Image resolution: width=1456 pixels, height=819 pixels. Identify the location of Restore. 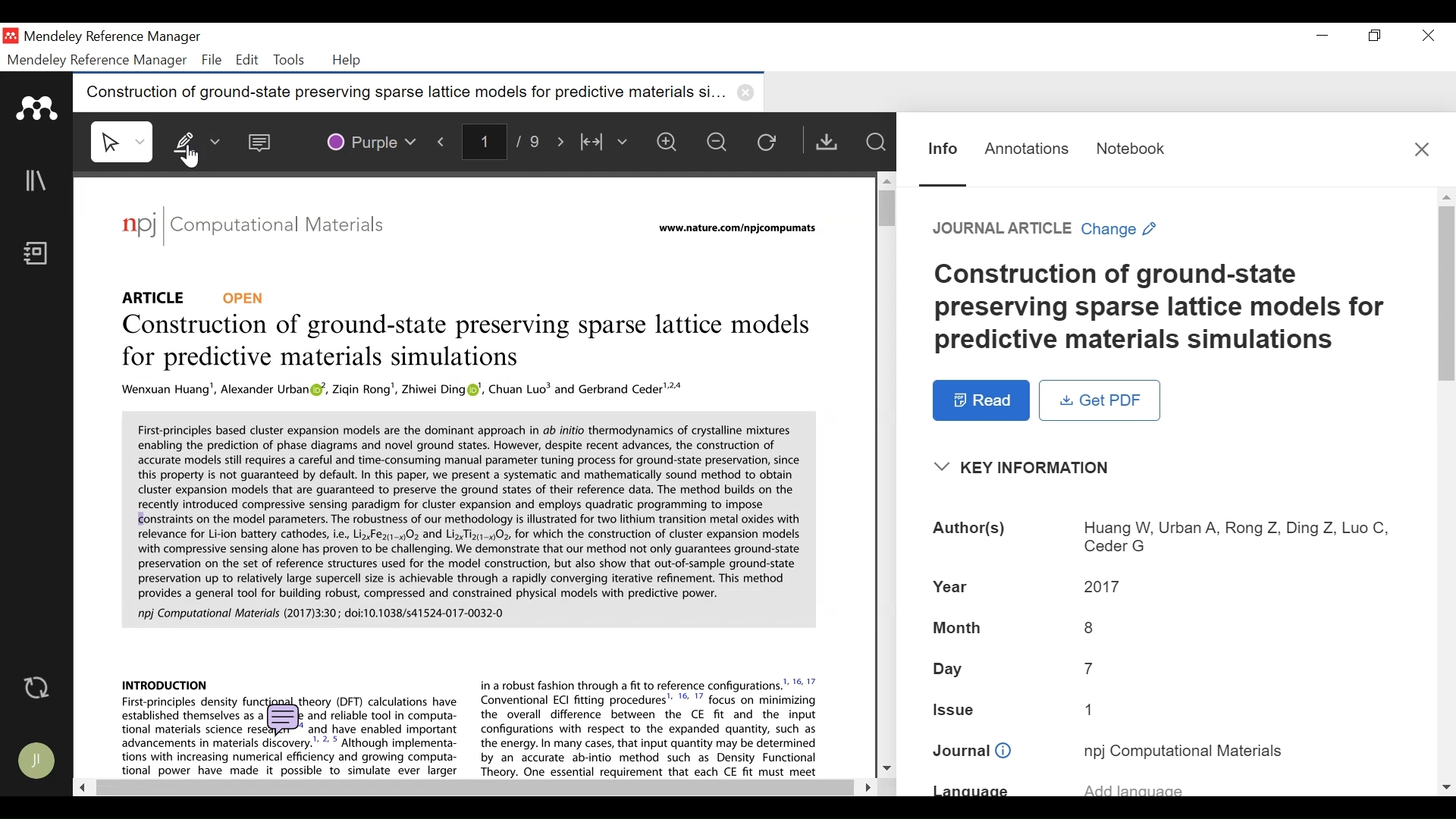
(1376, 36).